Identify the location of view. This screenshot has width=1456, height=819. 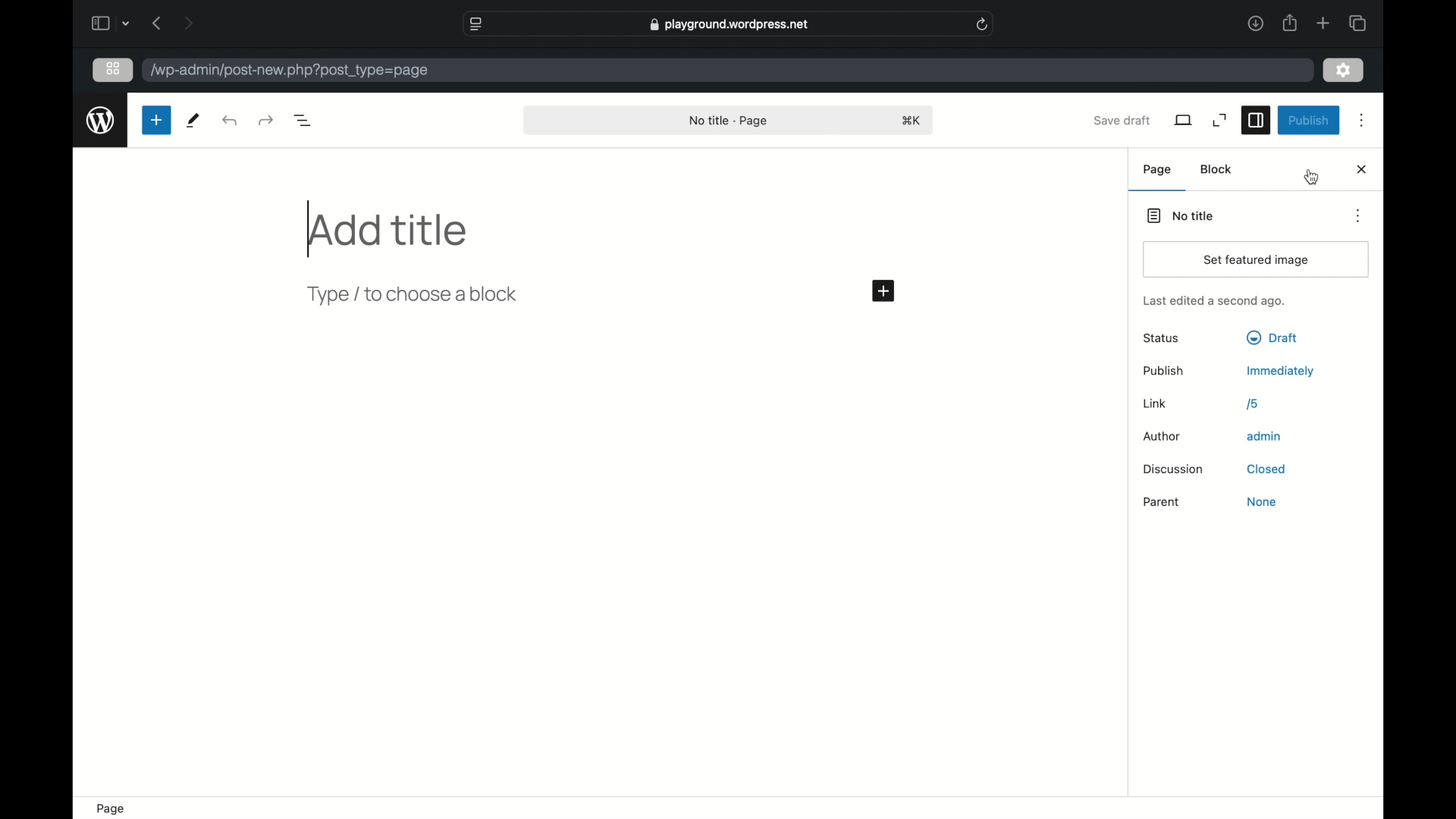
(1185, 120).